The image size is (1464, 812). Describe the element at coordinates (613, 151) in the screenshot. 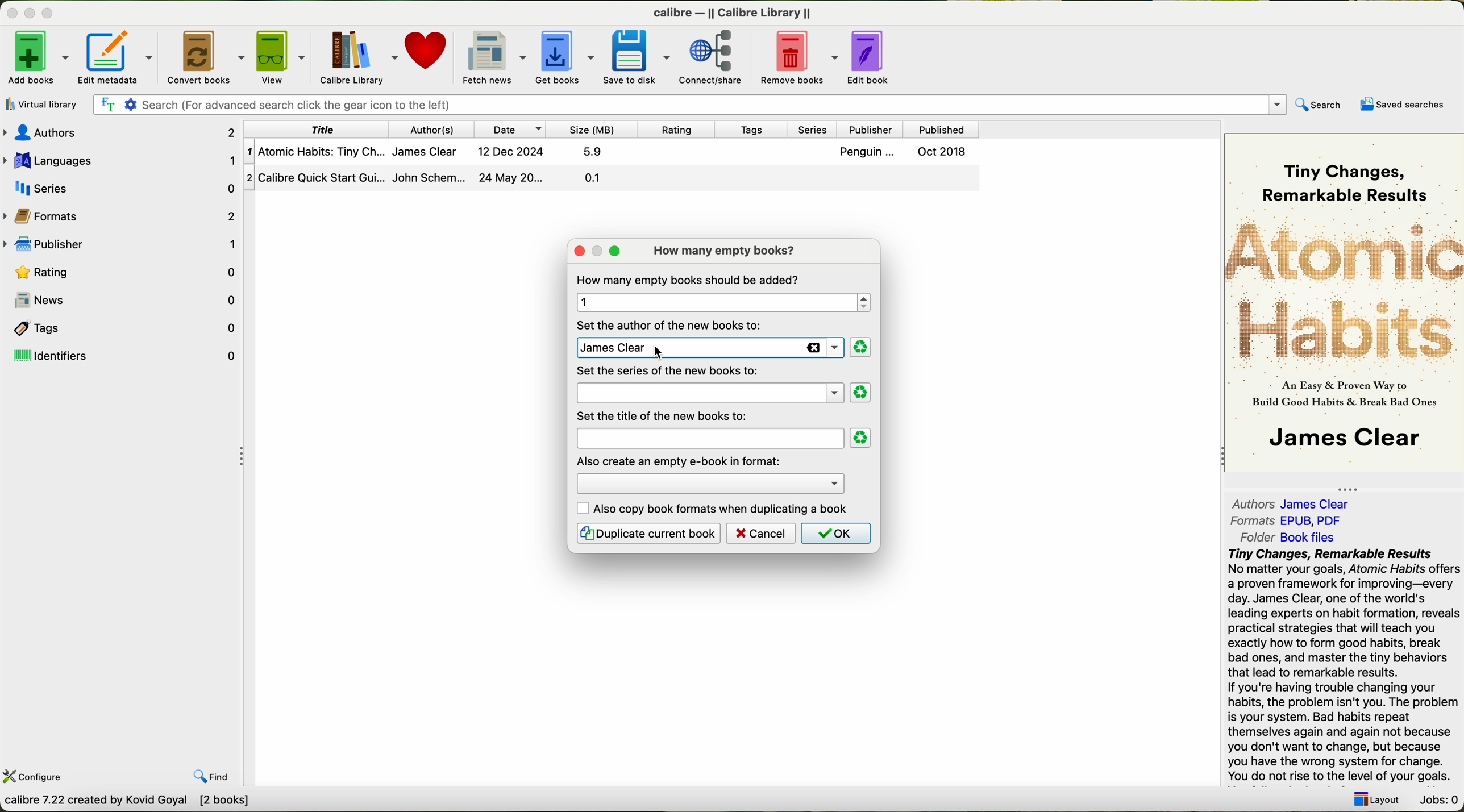

I see `first book` at that location.